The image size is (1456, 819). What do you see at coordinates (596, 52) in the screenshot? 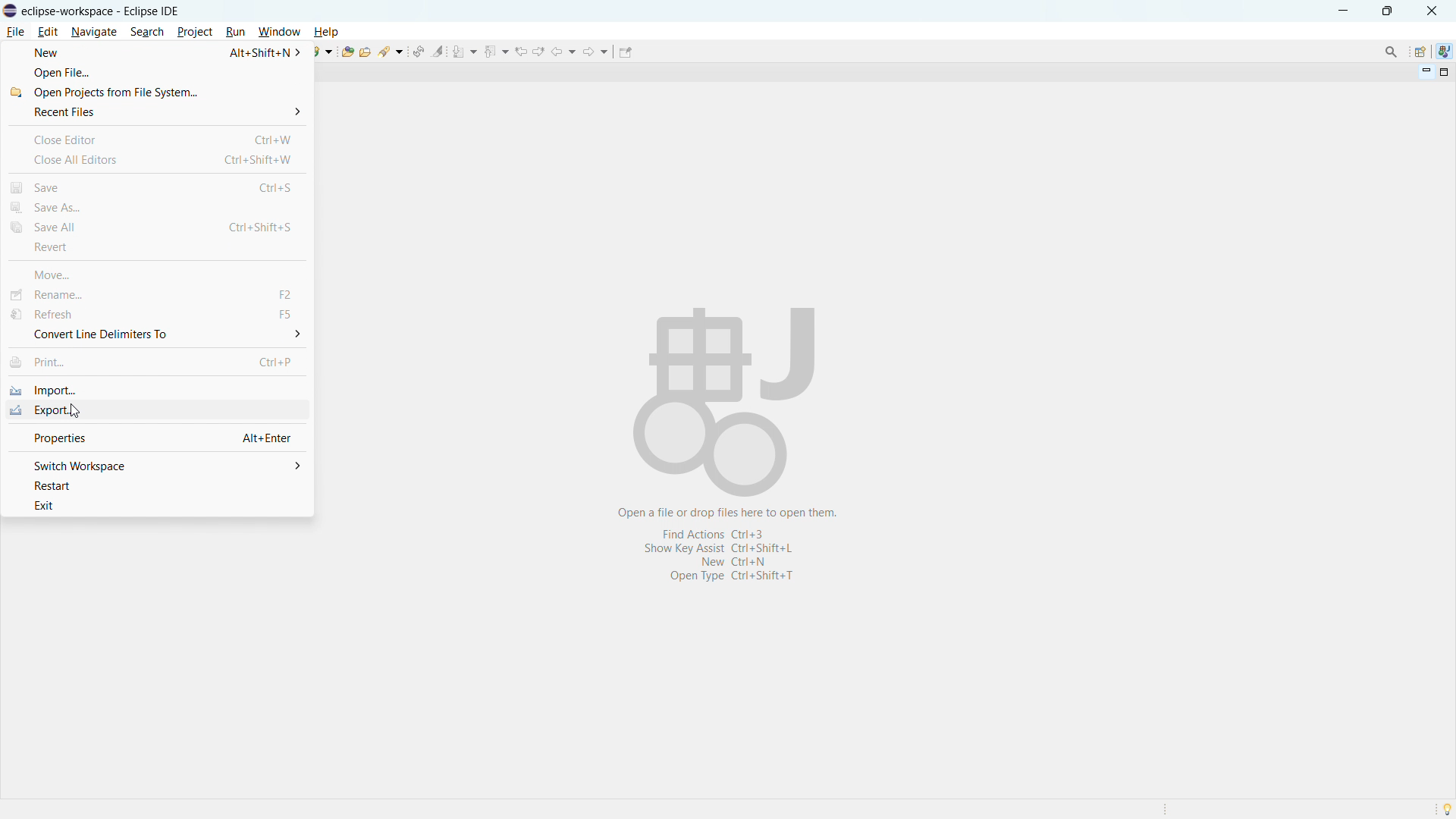
I see `forward` at bounding box center [596, 52].